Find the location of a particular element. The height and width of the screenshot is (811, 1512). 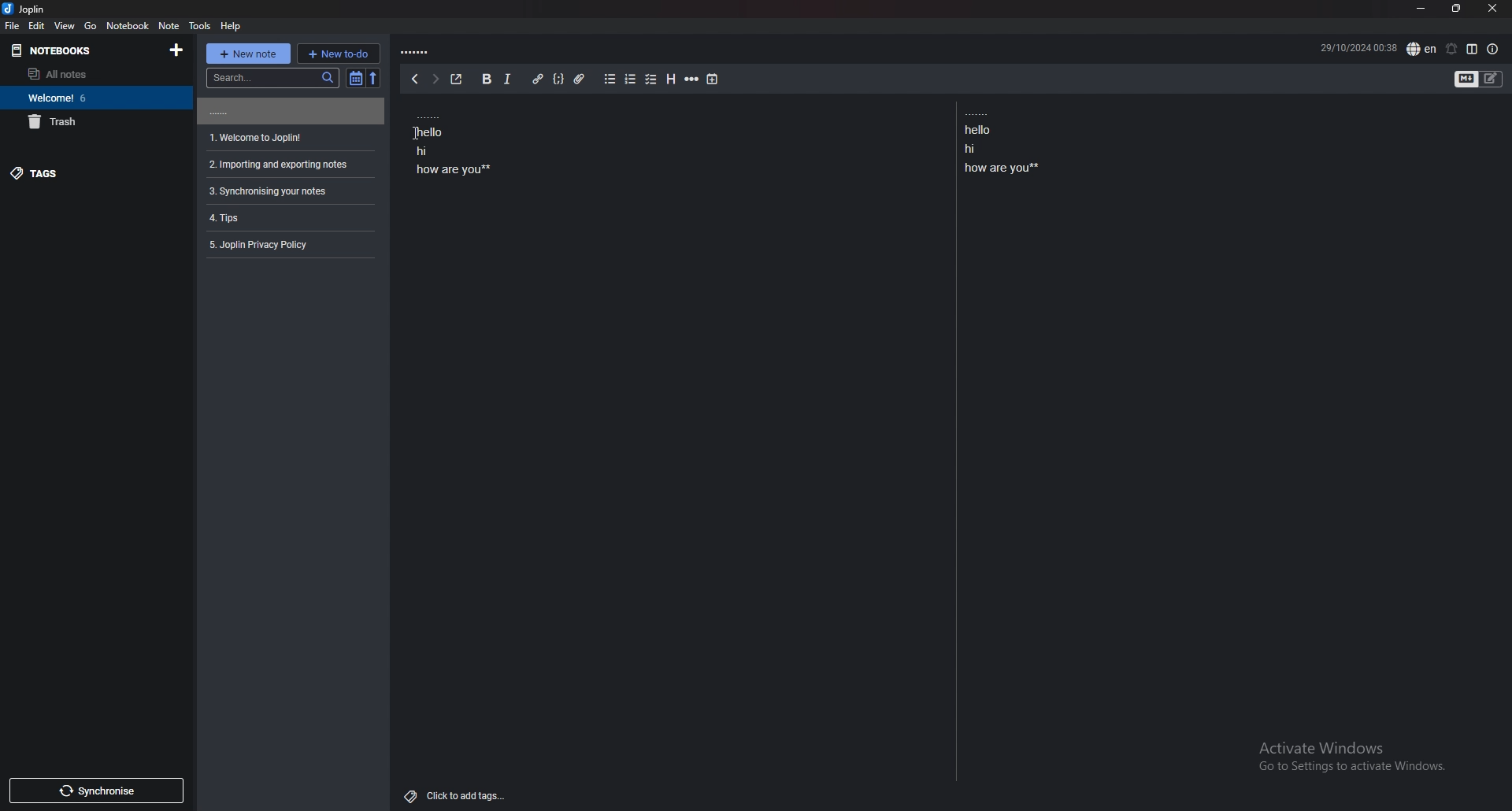

note is located at coordinates (288, 165).